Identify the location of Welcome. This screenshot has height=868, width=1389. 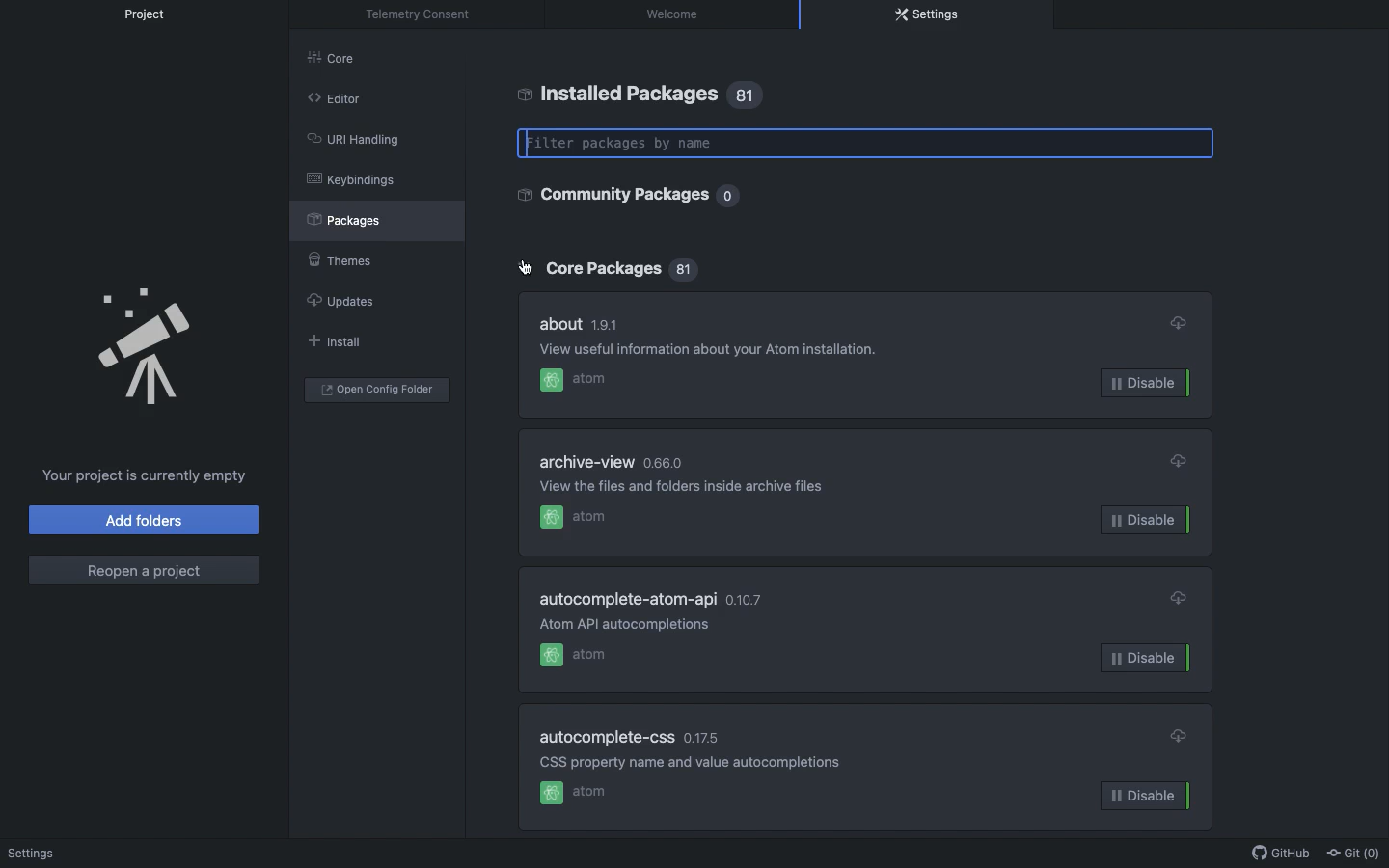
(35, 854).